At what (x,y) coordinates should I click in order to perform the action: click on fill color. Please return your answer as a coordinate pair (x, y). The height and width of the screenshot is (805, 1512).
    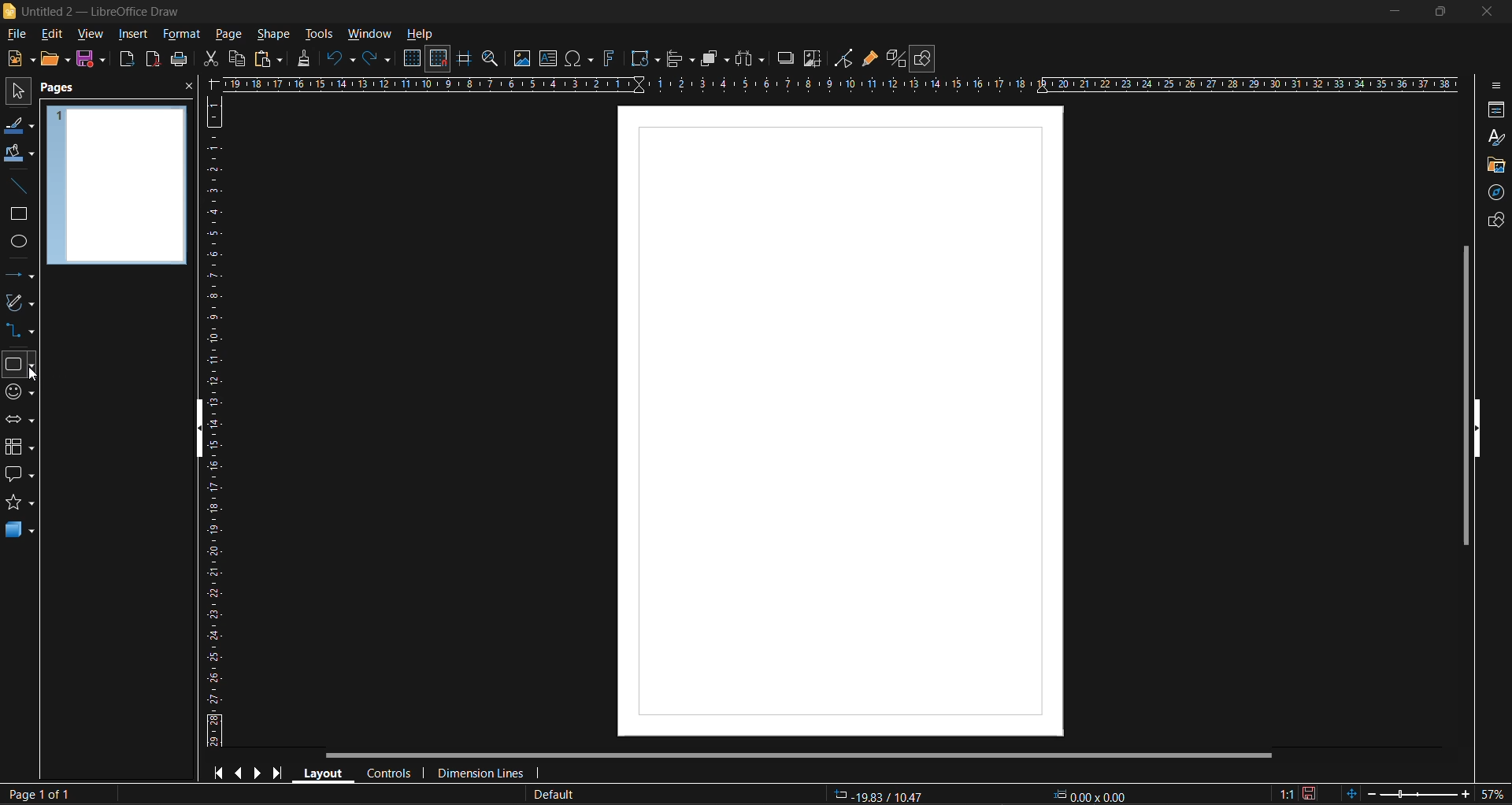
    Looking at the image, I should click on (20, 153).